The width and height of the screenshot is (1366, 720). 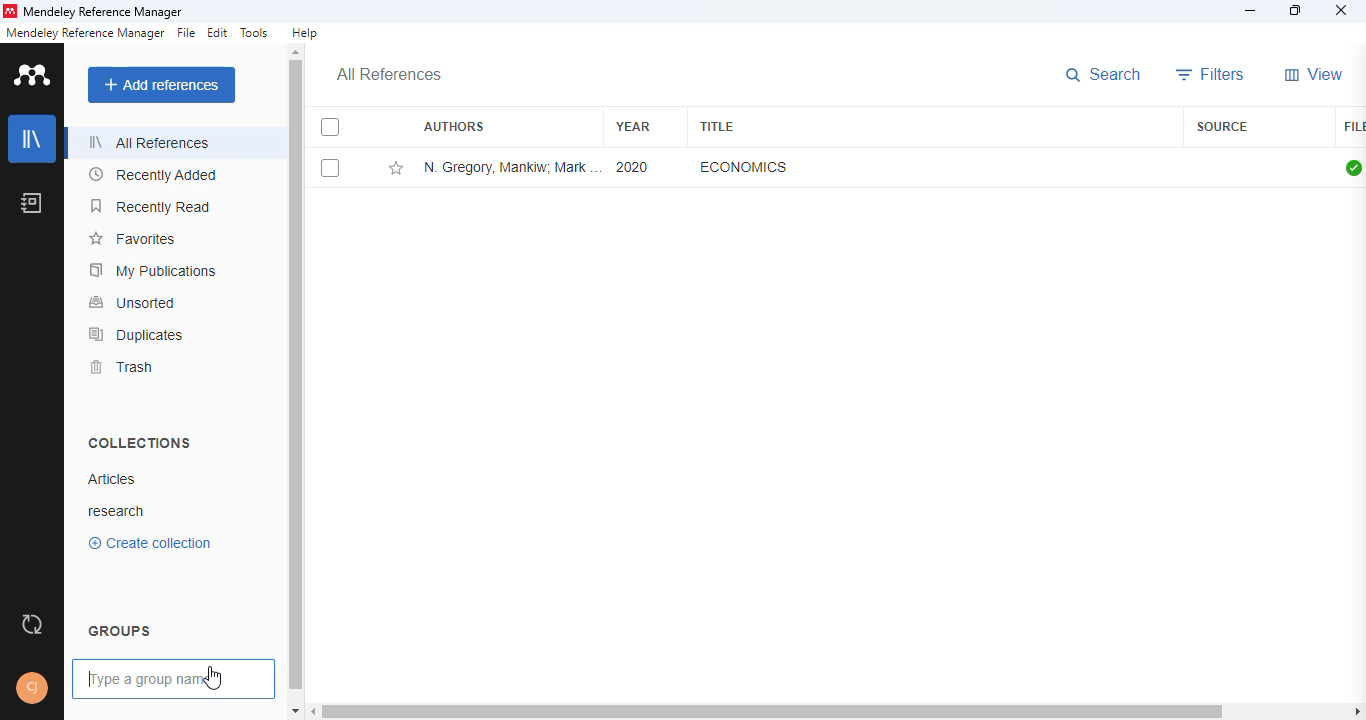 I want to click on profile, so click(x=32, y=689).